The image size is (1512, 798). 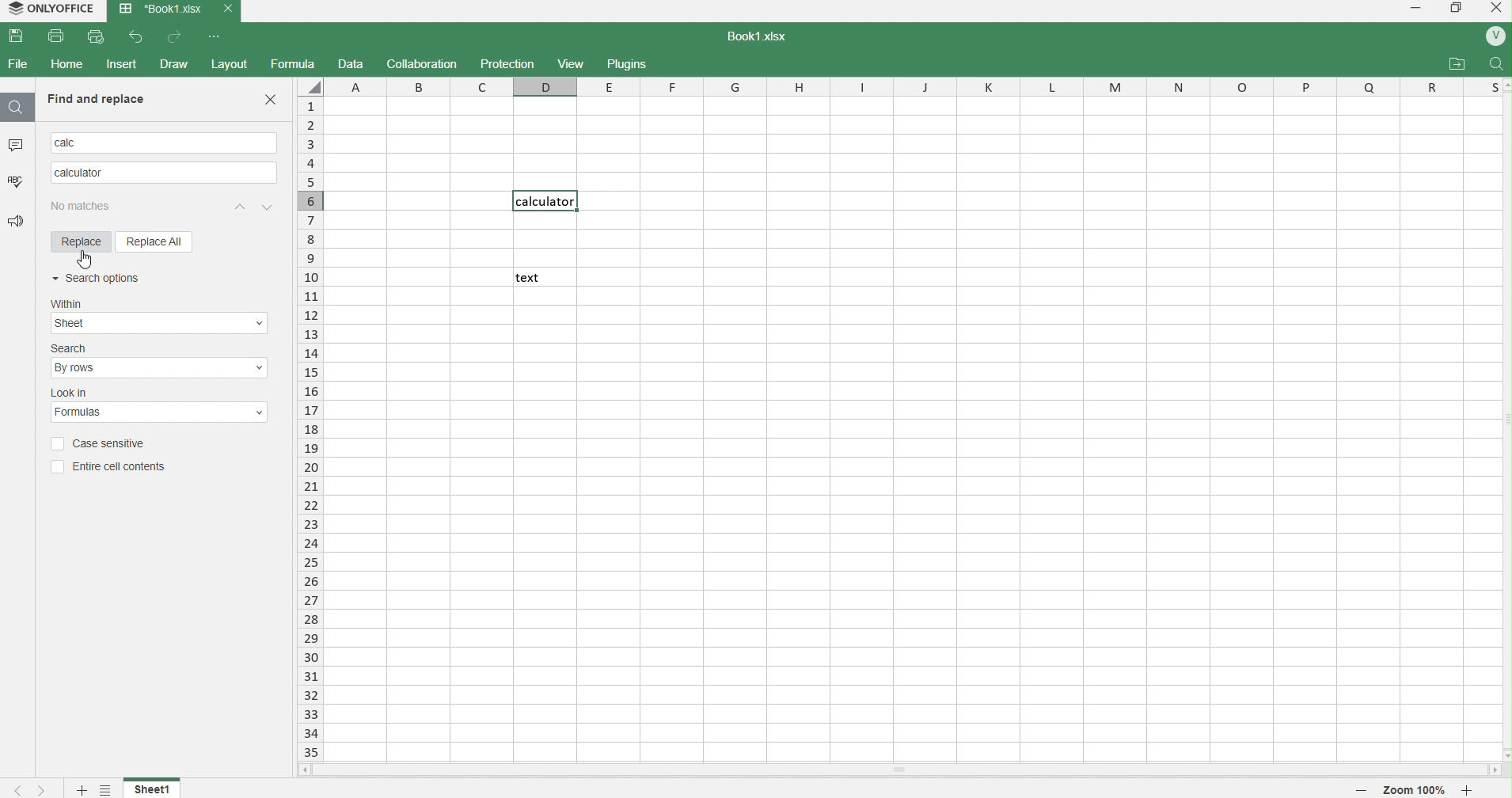 What do you see at coordinates (157, 368) in the screenshot?
I see `Search options` at bounding box center [157, 368].